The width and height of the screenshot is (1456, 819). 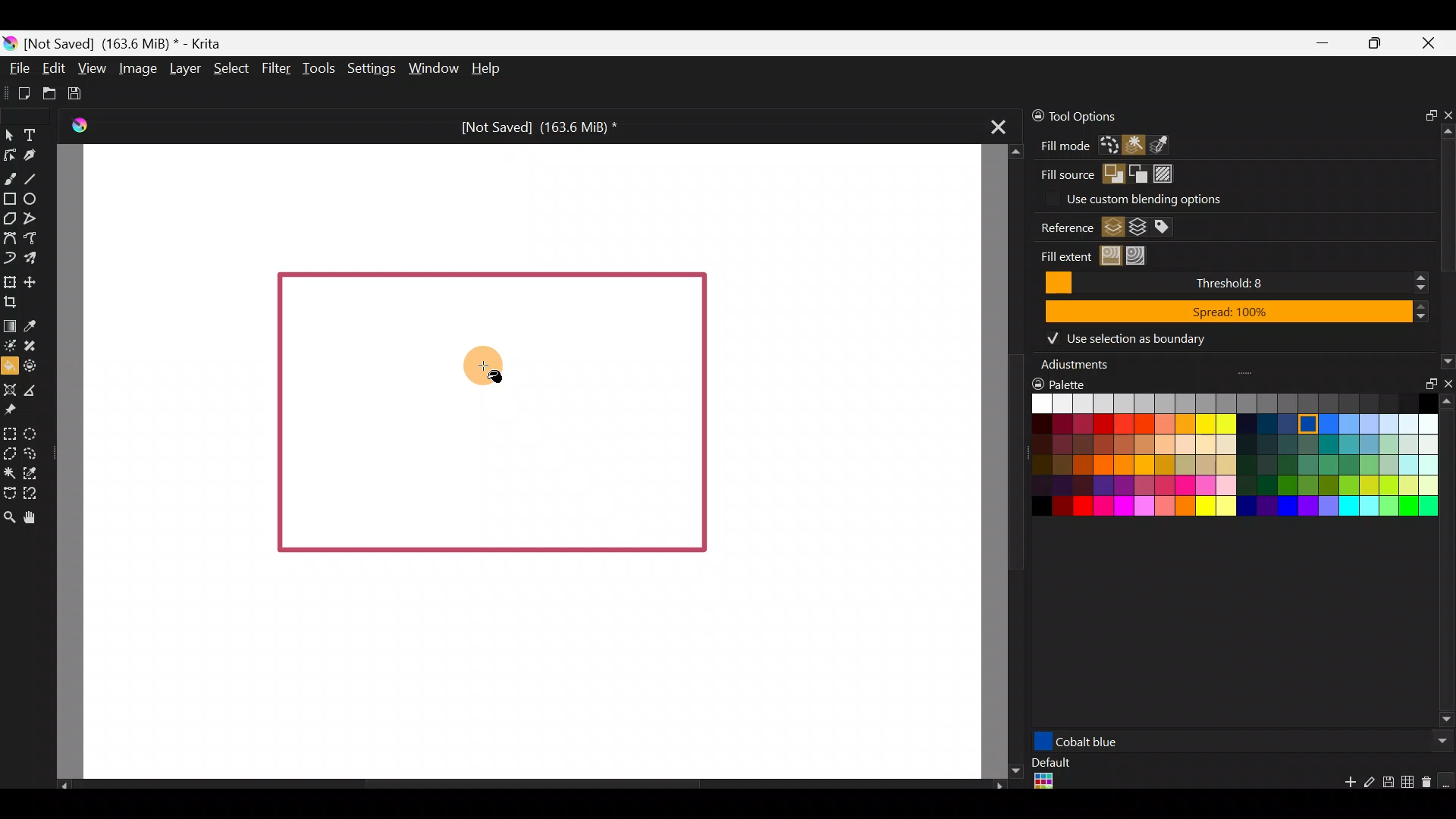 What do you see at coordinates (1232, 283) in the screenshot?
I see `Threshold` at bounding box center [1232, 283].